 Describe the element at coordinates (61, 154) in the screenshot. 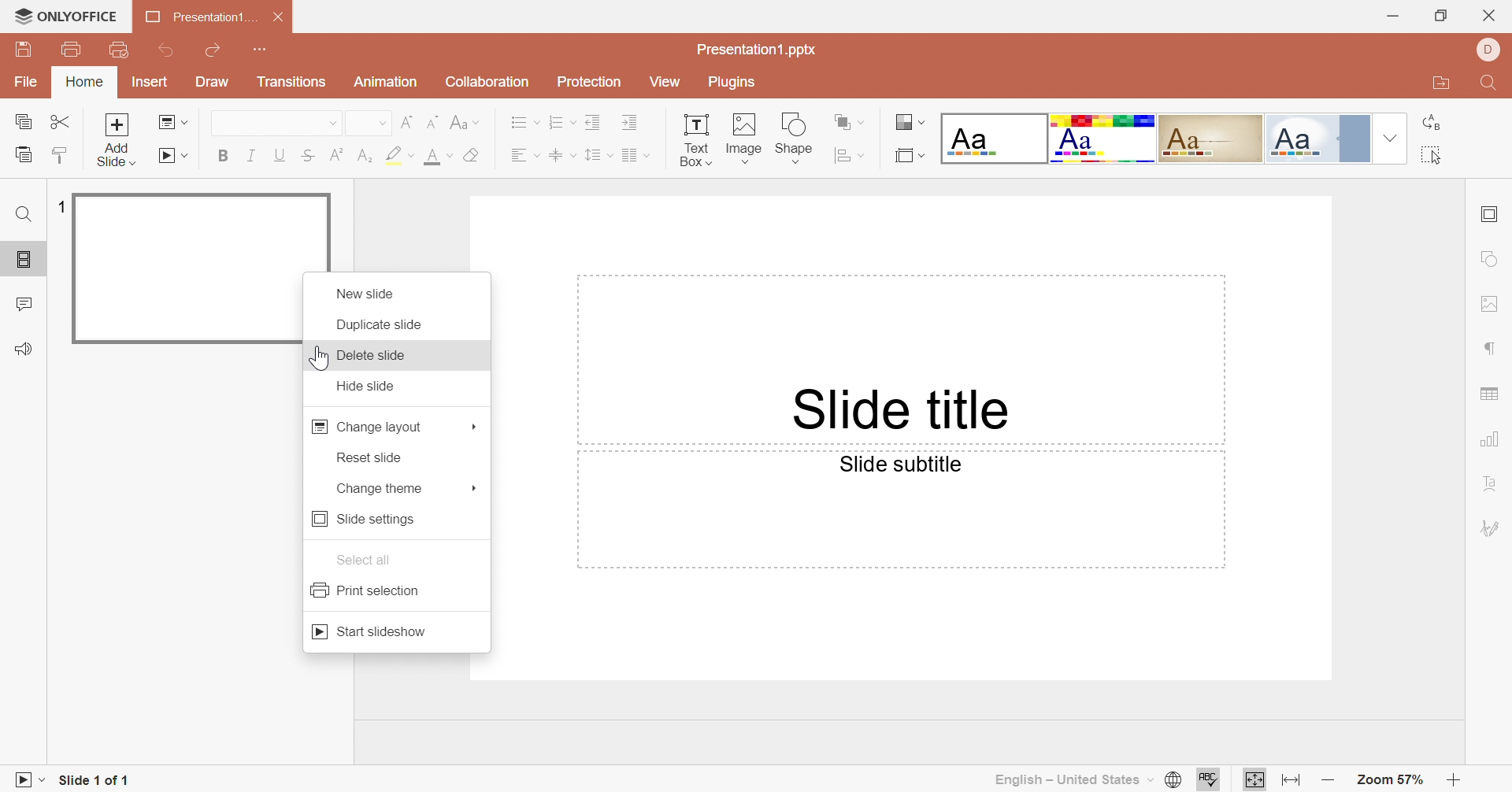

I see `Copy Style` at that location.